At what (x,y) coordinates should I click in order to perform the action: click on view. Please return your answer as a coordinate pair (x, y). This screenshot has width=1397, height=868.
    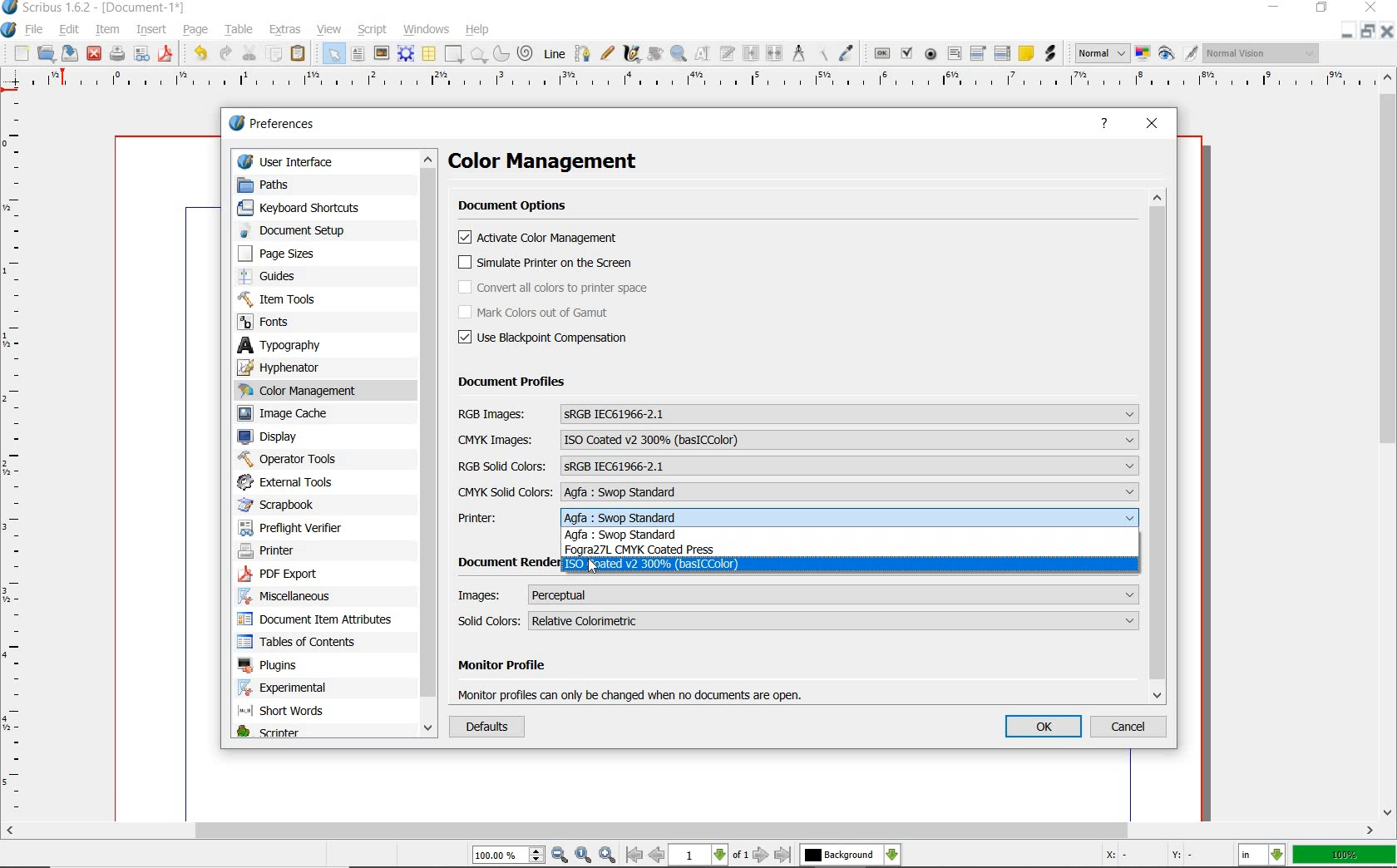
    Looking at the image, I should click on (330, 28).